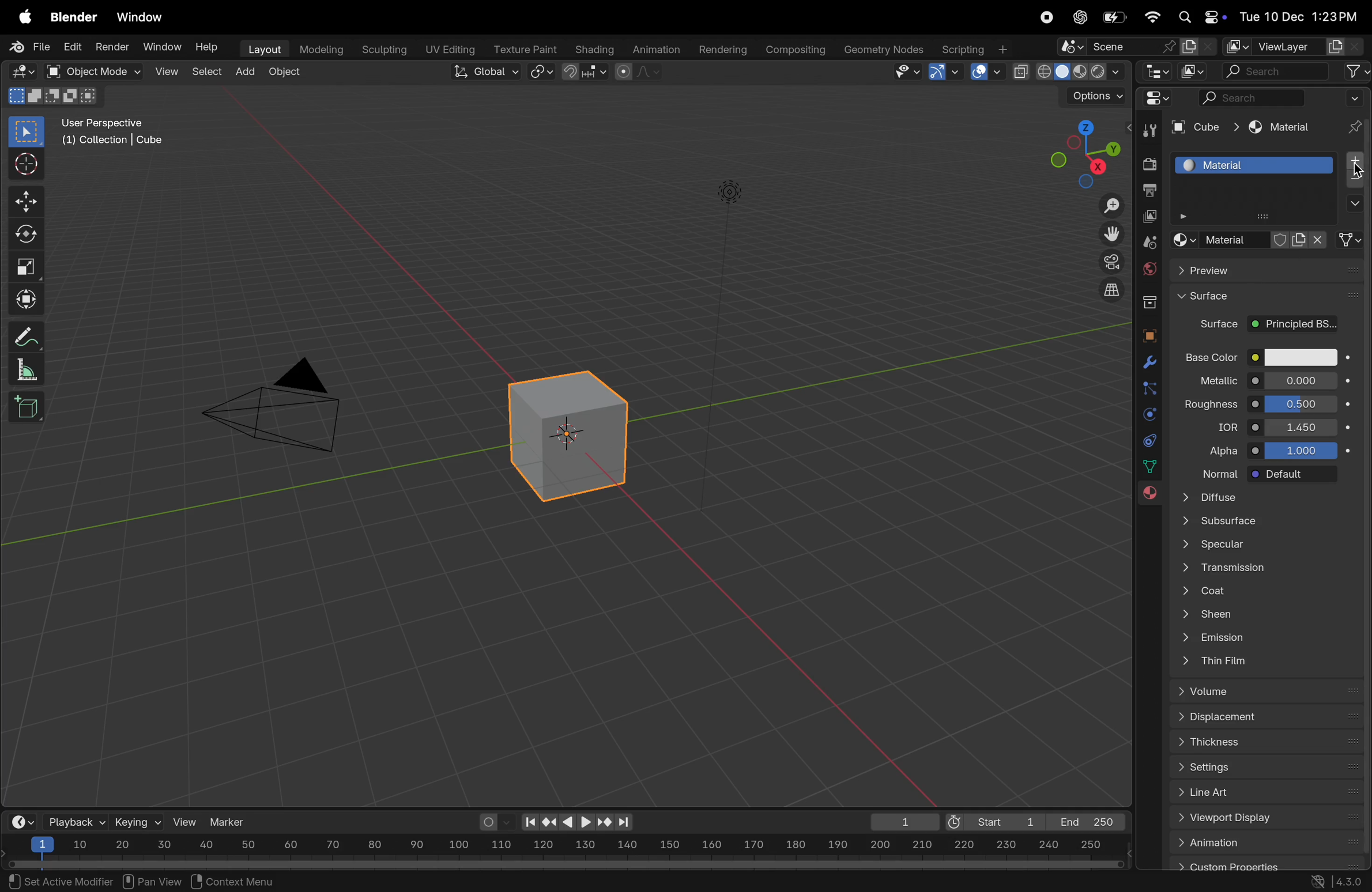 The width and height of the screenshot is (1372, 892). What do you see at coordinates (1149, 267) in the screenshot?
I see `world` at bounding box center [1149, 267].